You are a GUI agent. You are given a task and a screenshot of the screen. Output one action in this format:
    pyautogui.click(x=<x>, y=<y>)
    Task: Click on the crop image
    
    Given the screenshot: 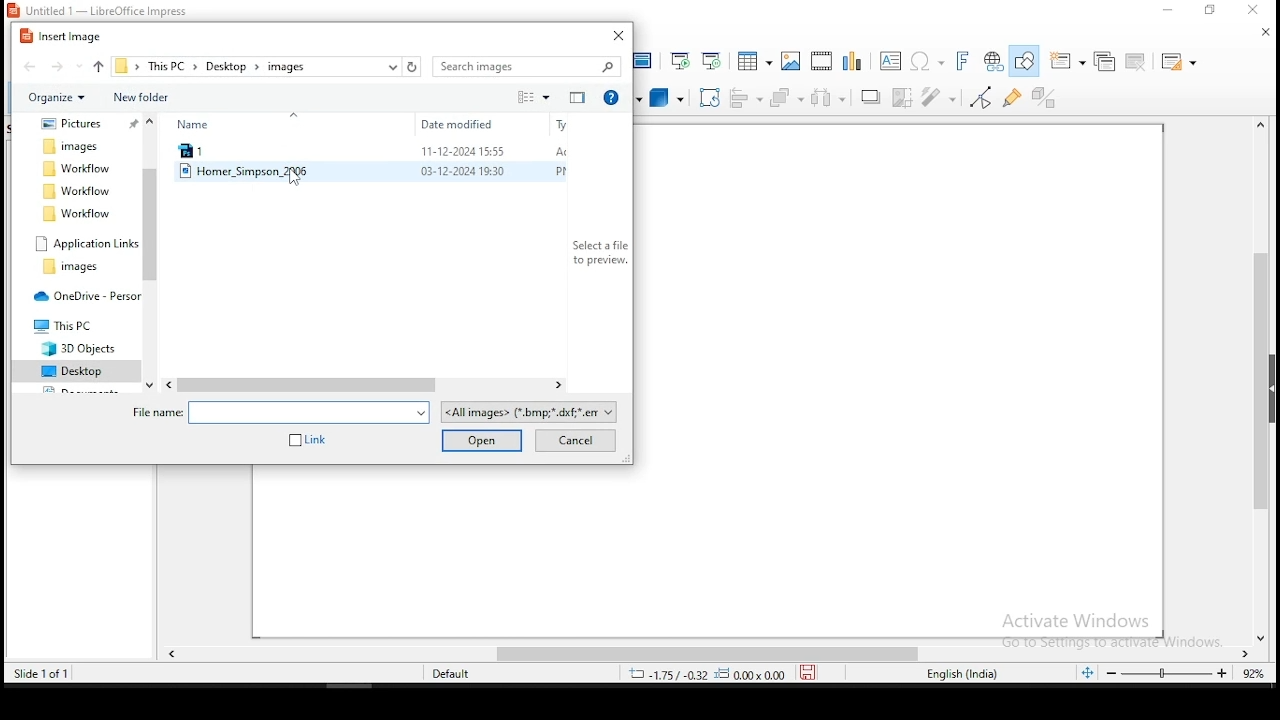 What is the action you would take?
    pyautogui.click(x=943, y=97)
    